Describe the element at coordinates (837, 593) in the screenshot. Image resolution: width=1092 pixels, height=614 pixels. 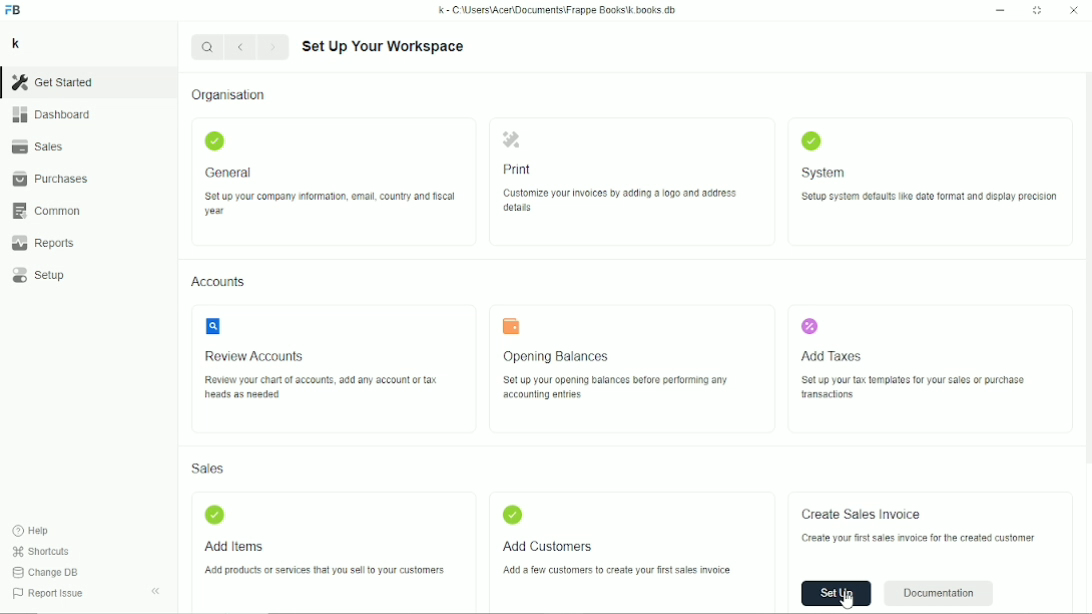
I see `Set up` at that location.